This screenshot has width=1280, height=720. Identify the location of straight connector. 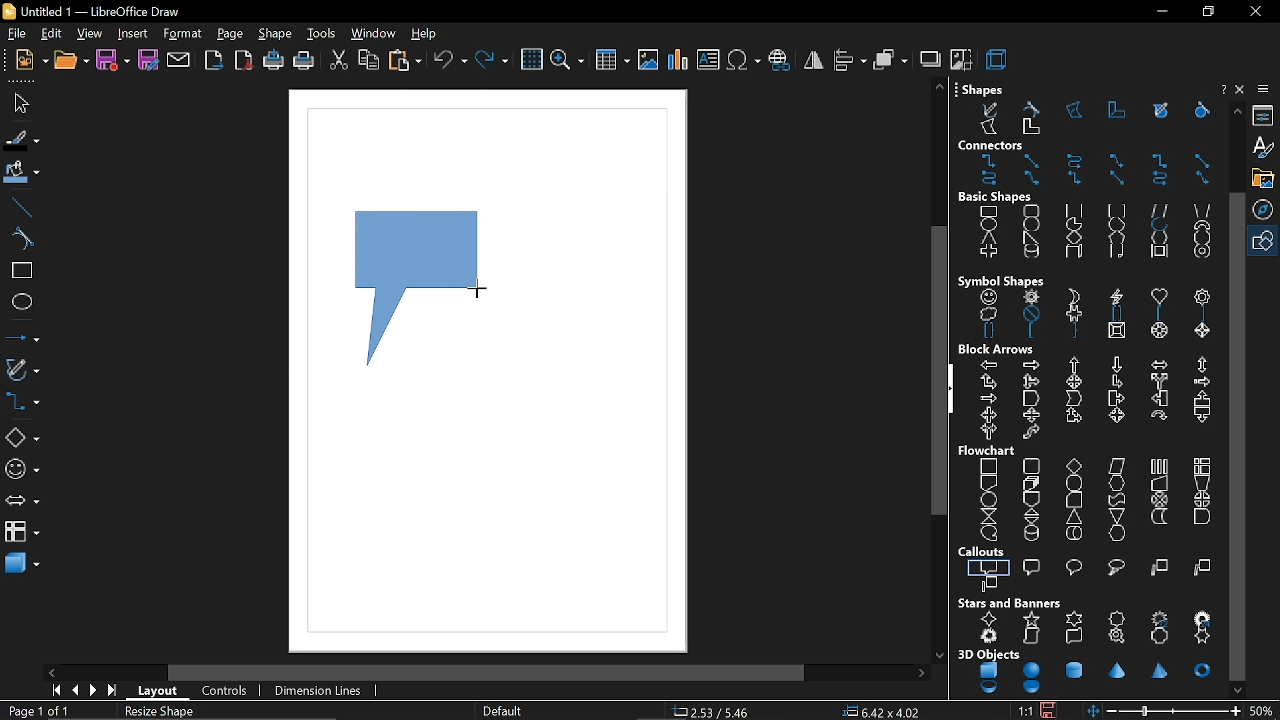
(1201, 161).